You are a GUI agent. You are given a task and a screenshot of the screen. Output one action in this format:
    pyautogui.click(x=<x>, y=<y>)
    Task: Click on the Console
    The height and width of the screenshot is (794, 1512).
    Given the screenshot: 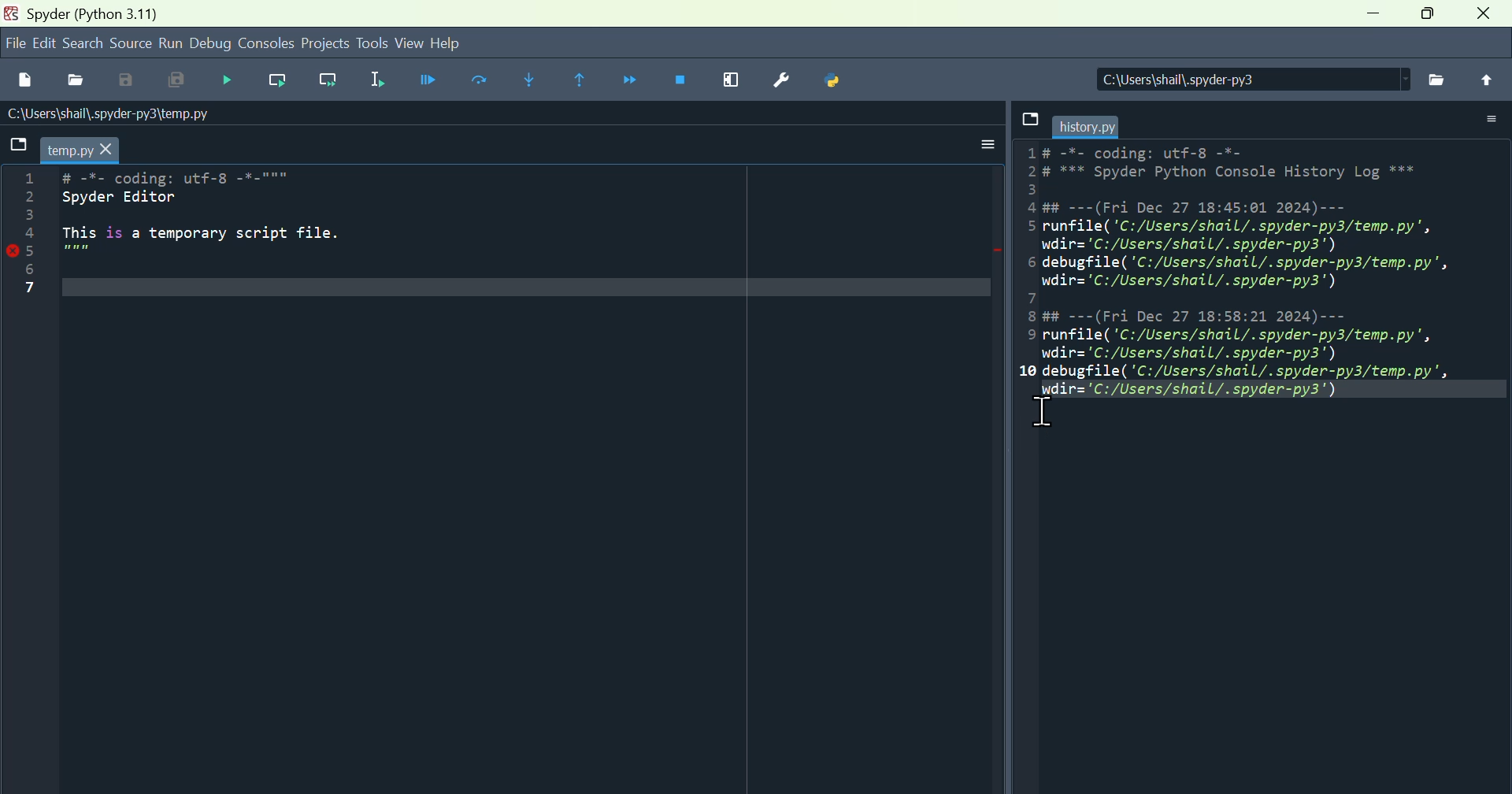 What is the action you would take?
    pyautogui.click(x=263, y=43)
    